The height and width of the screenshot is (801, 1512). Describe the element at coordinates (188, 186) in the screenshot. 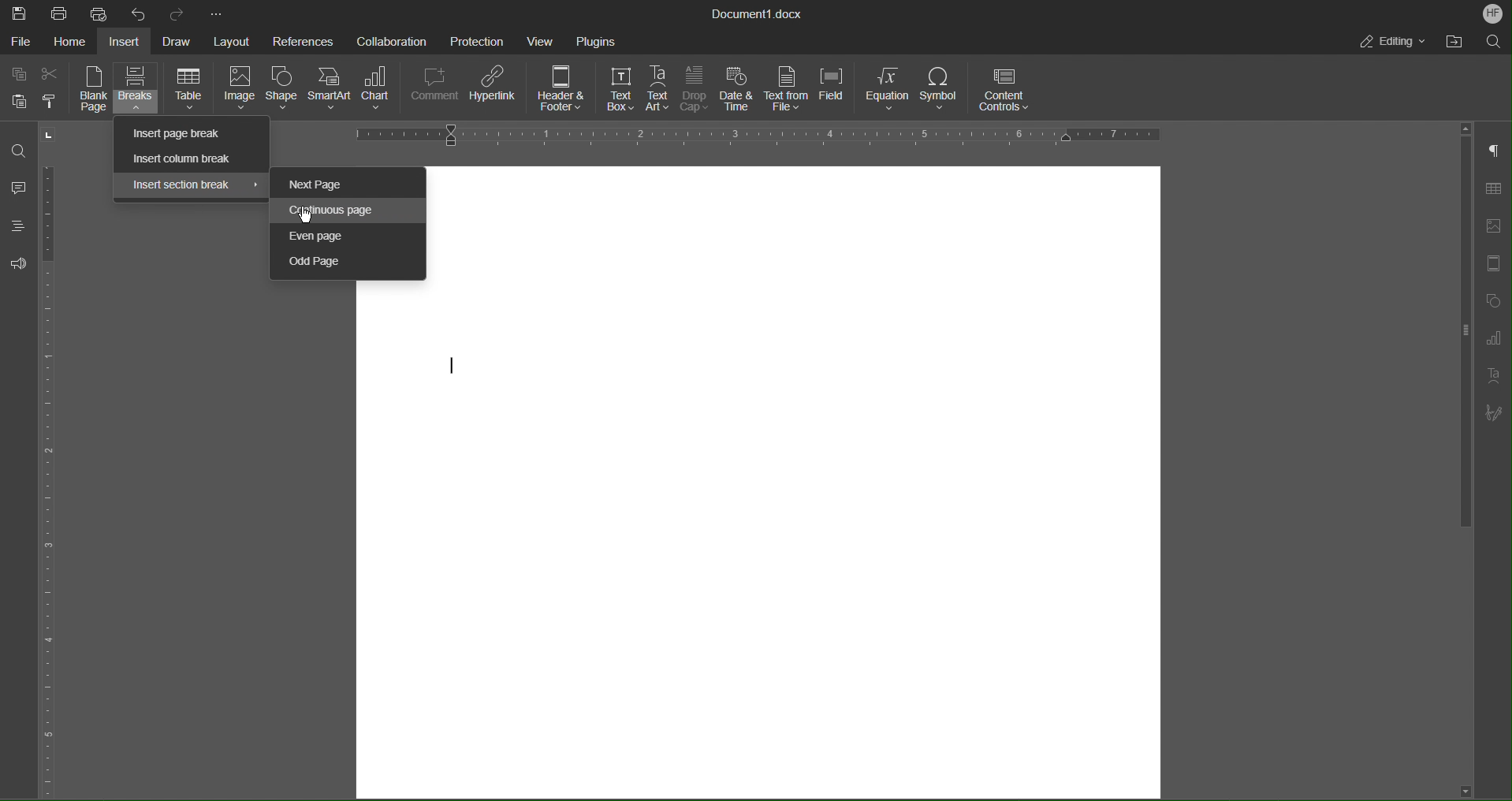

I see `Insert section break` at that location.